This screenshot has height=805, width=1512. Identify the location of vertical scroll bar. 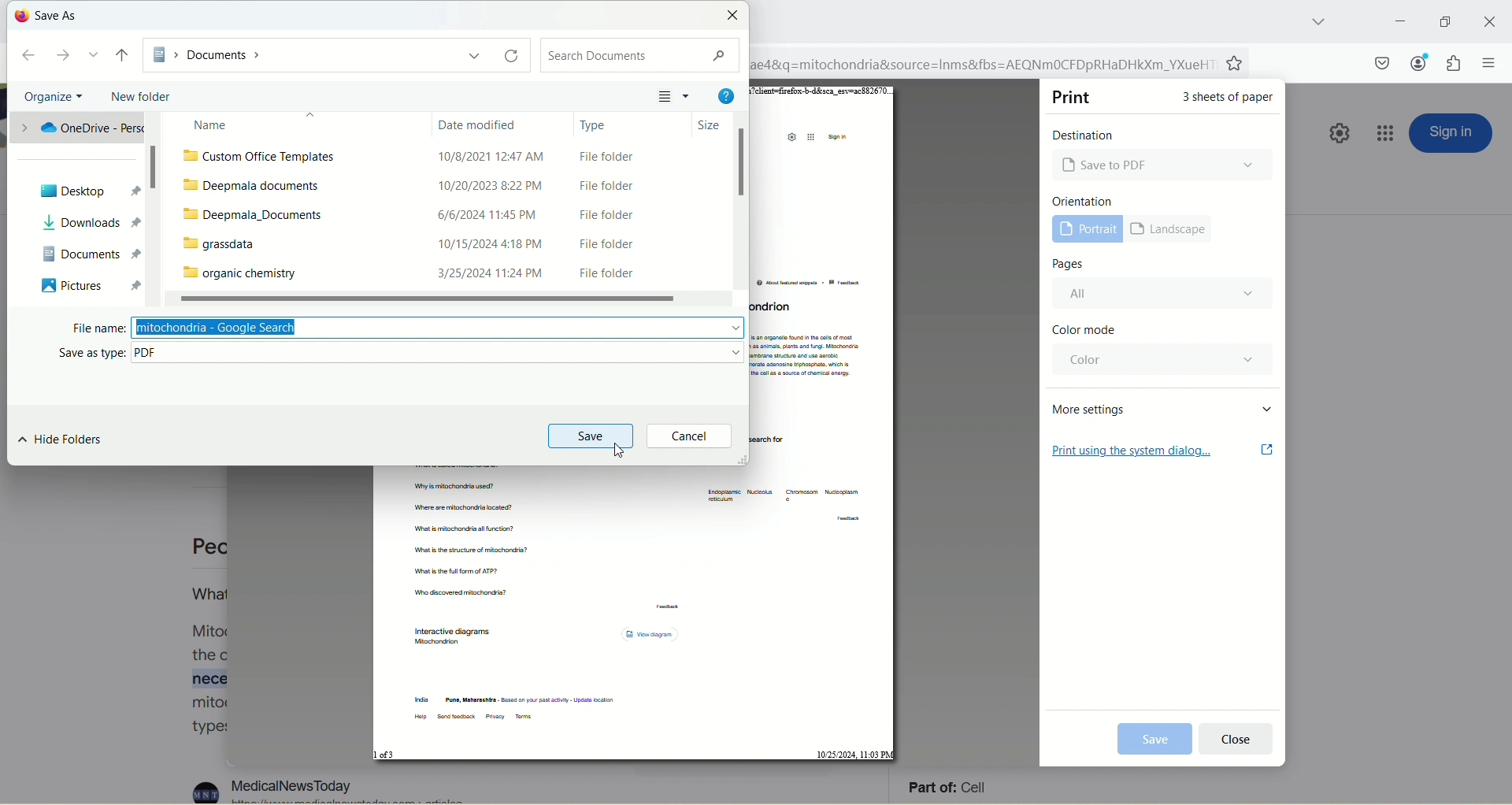
(743, 158).